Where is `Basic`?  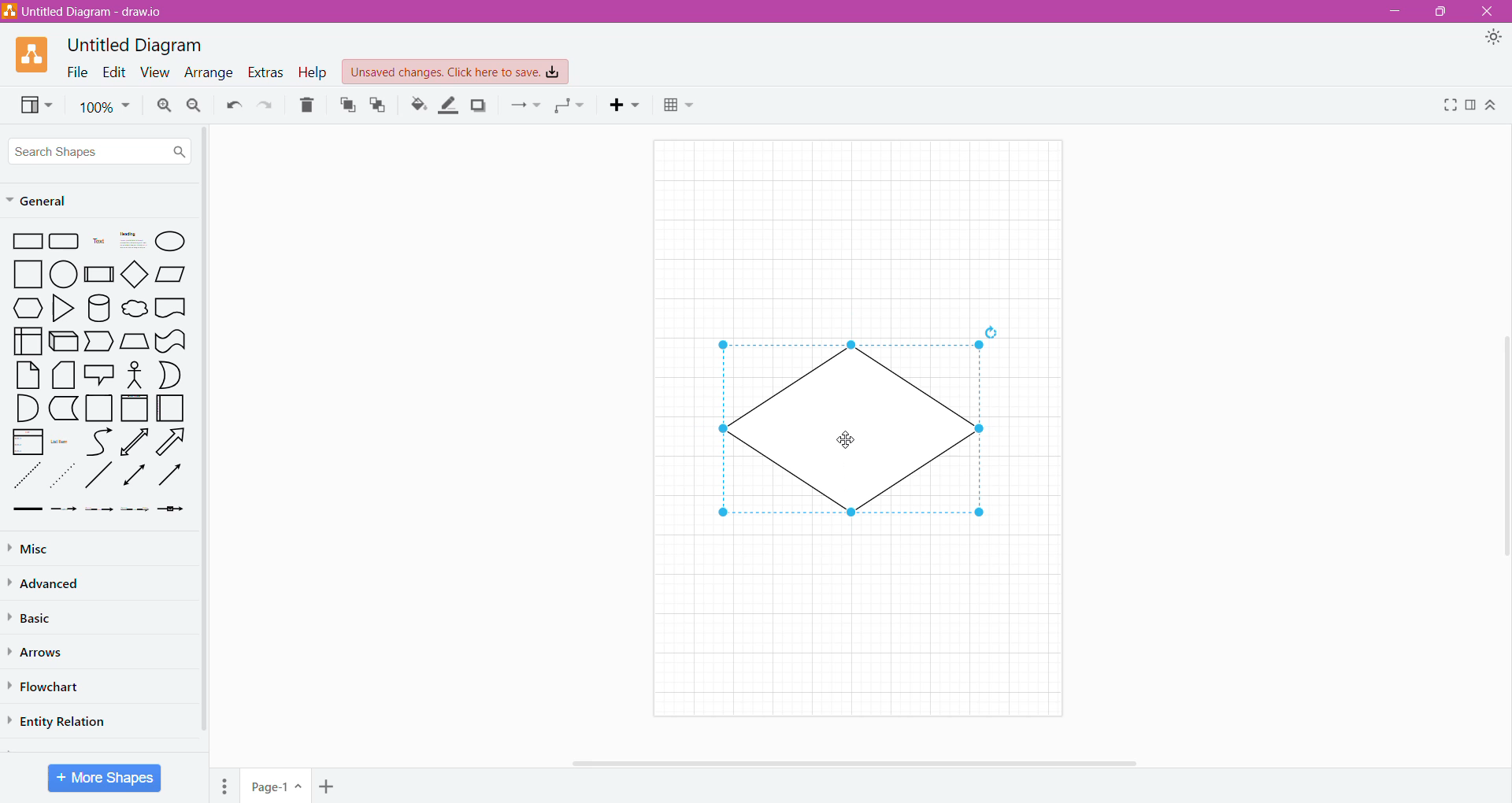
Basic is located at coordinates (35, 616).